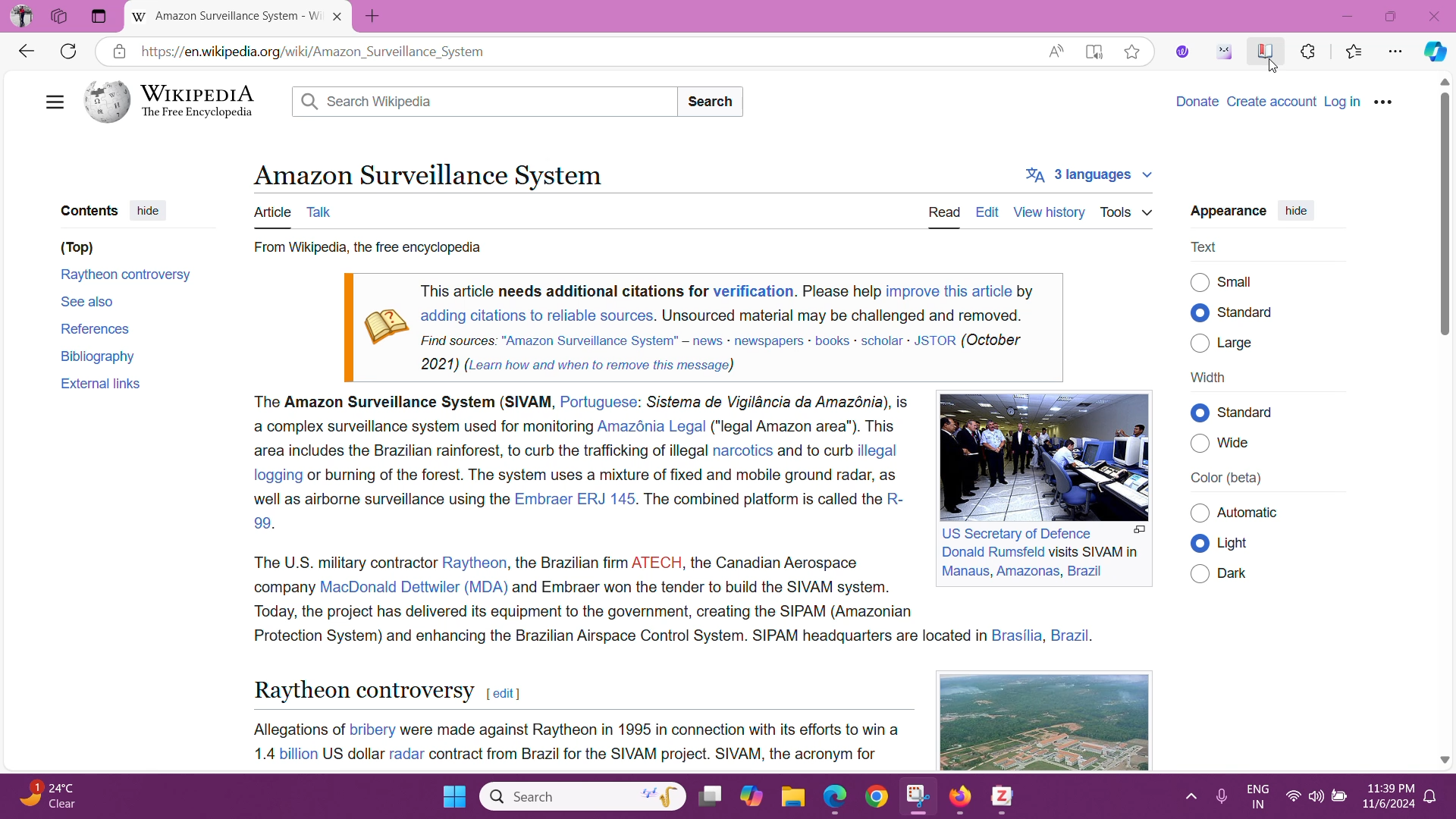  I want to click on Load Image in Full Page, so click(1139, 531).